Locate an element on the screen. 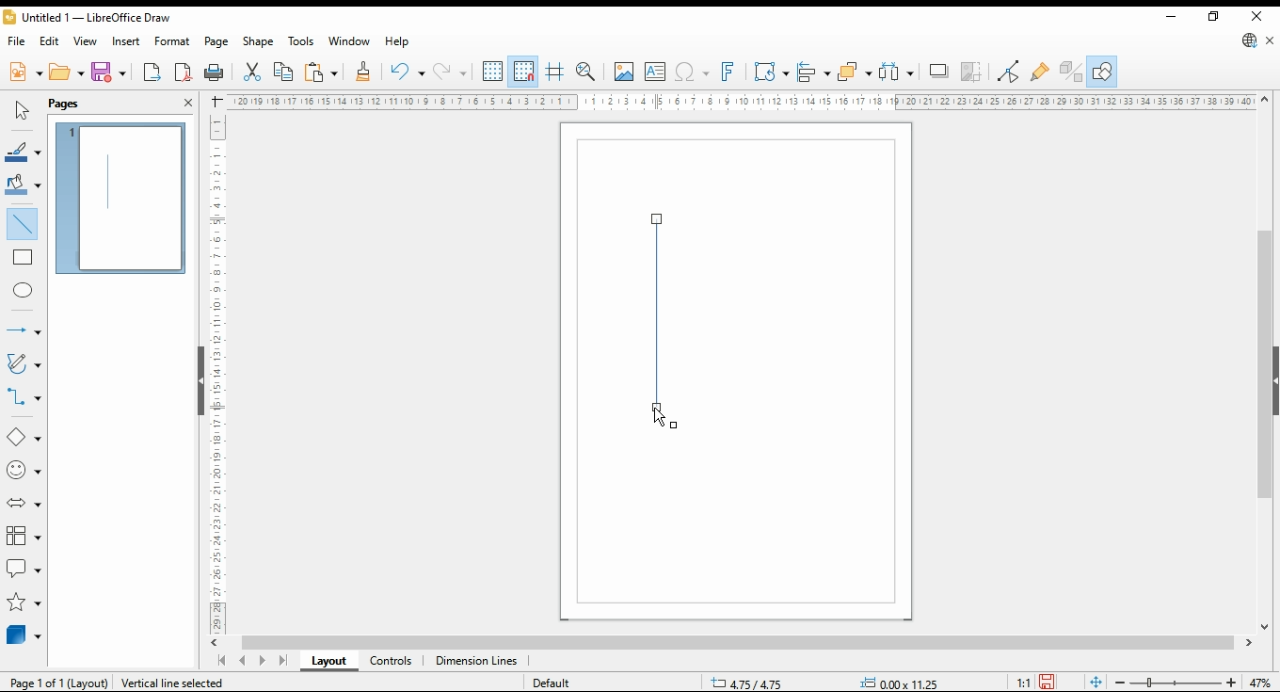 The image size is (1280, 692). move down is located at coordinates (1265, 629).